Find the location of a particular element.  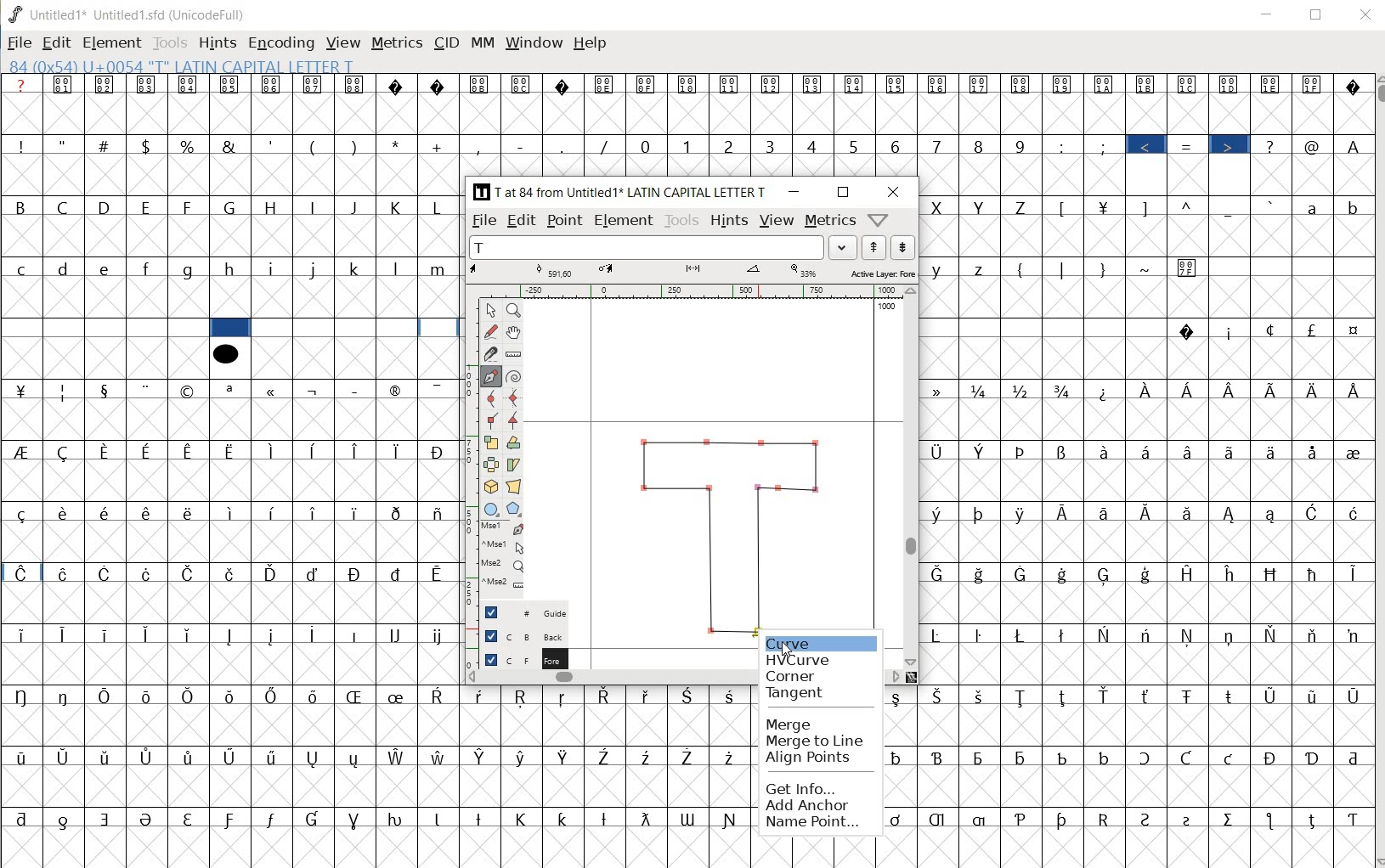

Symbol is located at coordinates (607, 697).